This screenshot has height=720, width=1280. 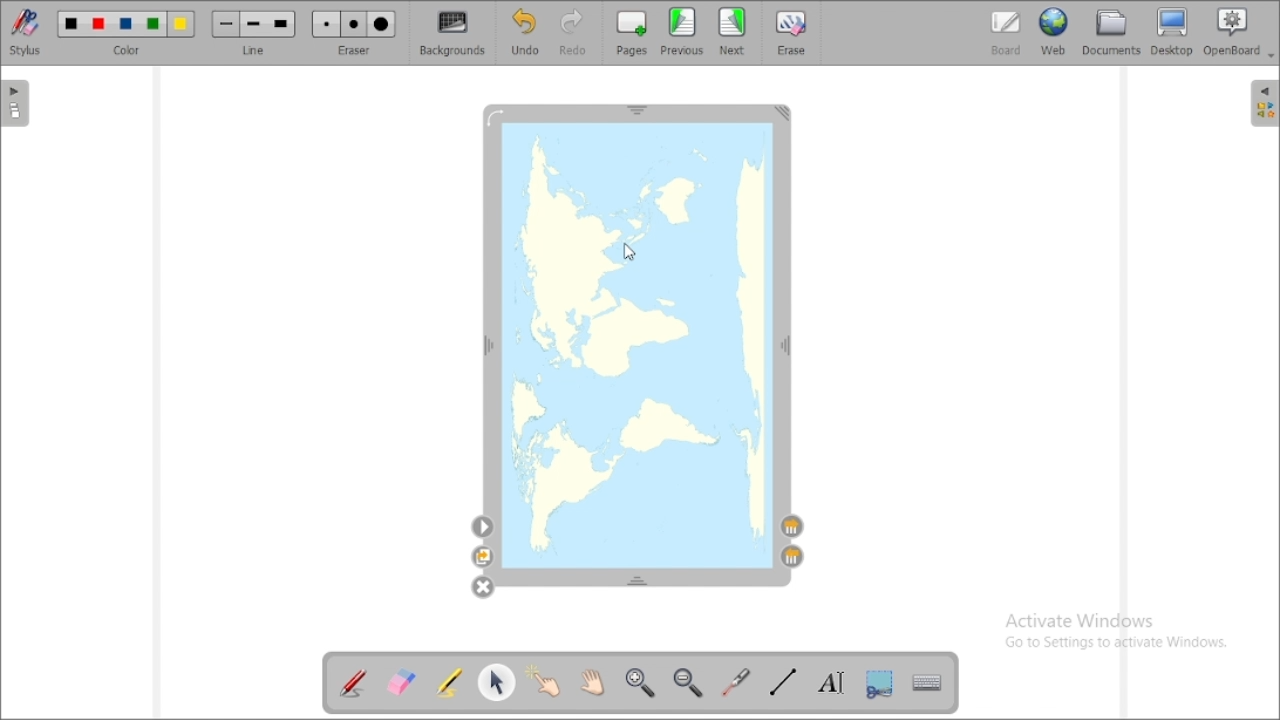 I want to click on erase annotation, so click(x=400, y=683).